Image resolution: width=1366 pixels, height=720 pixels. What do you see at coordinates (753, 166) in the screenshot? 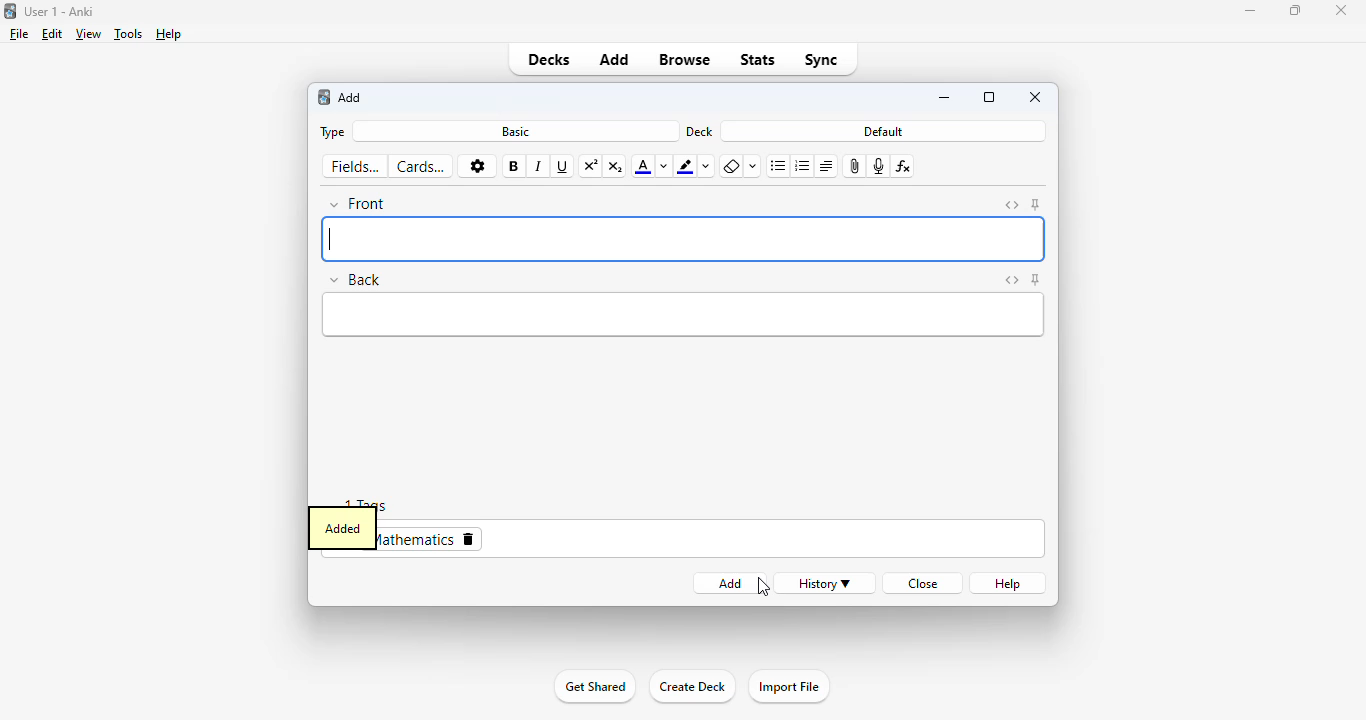
I see `select formatting to remove` at bounding box center [753, 166].